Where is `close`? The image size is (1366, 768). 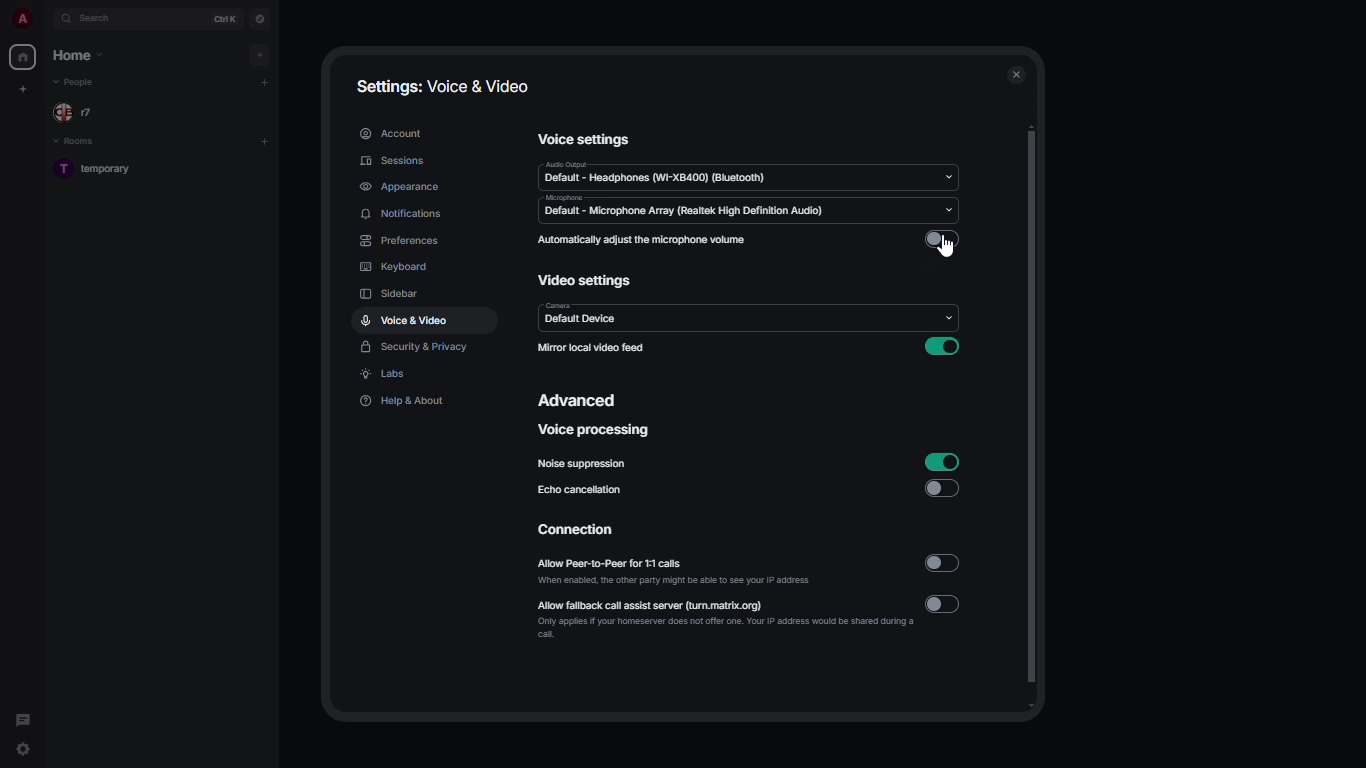 close is located at coordinates (1003, 76).